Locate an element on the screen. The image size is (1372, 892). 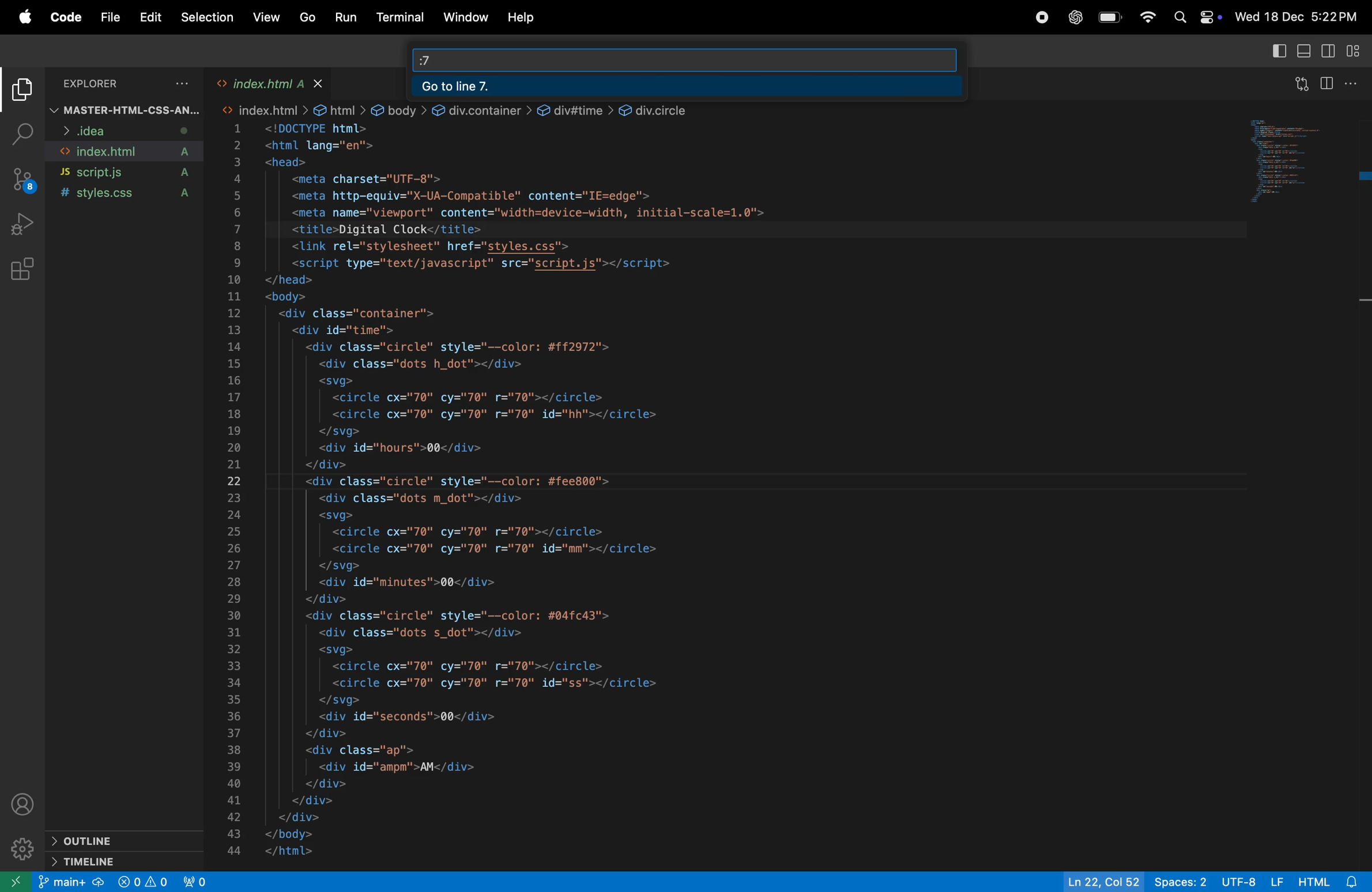
terminal is located at coordinates (399, 19).